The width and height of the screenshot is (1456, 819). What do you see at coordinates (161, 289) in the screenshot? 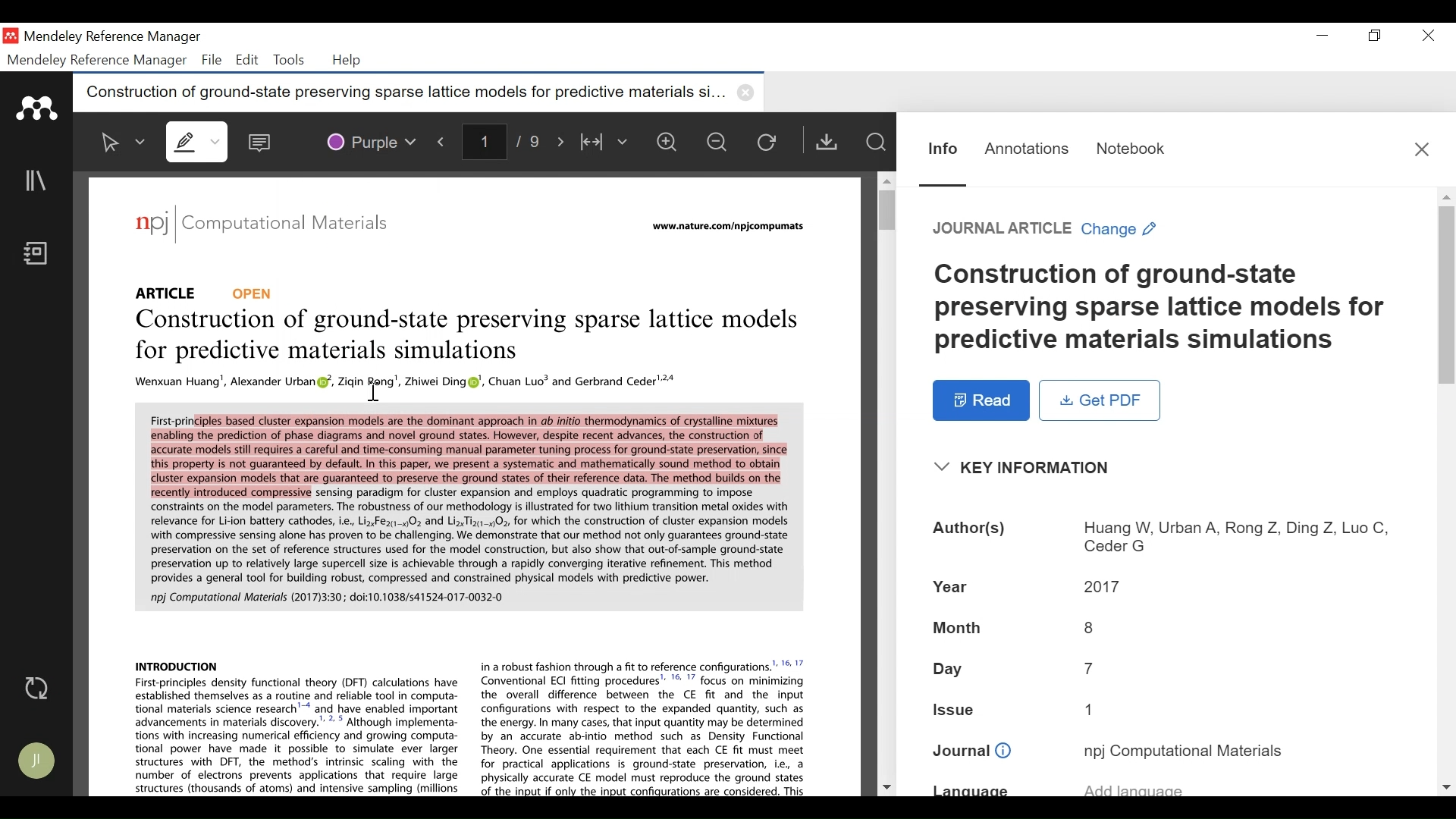
I see `Article` at bounding box center [161, 289].